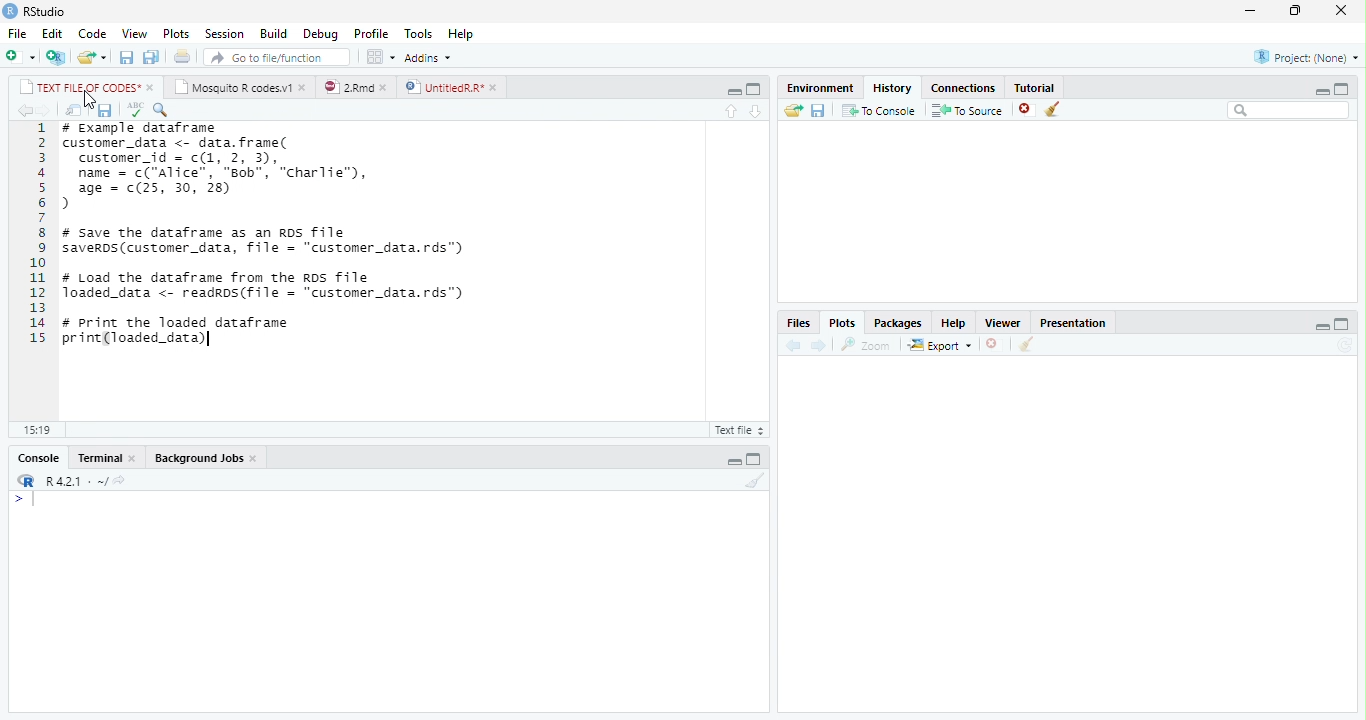 The image size is (1366, 720). What do you see at coordinates (347, 87) in the screenshot?
I see `2.Rmd` at bounding box center [347, 87].